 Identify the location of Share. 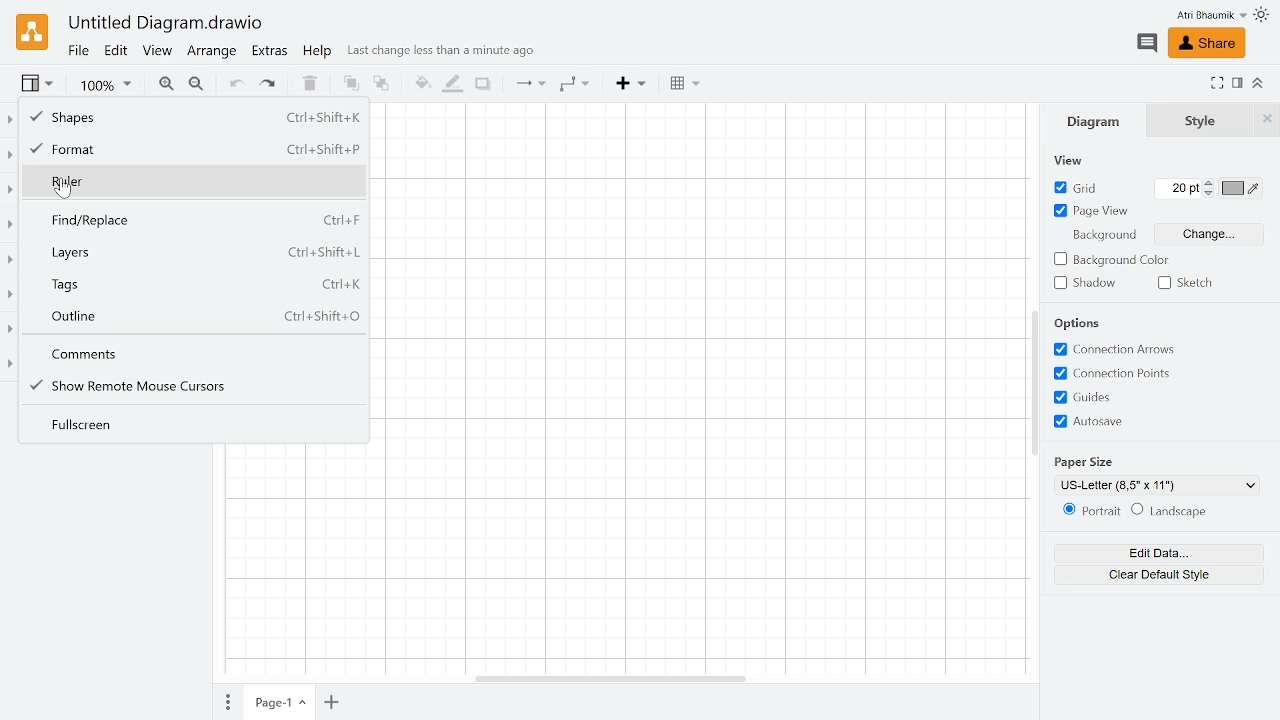
(1208, 43).